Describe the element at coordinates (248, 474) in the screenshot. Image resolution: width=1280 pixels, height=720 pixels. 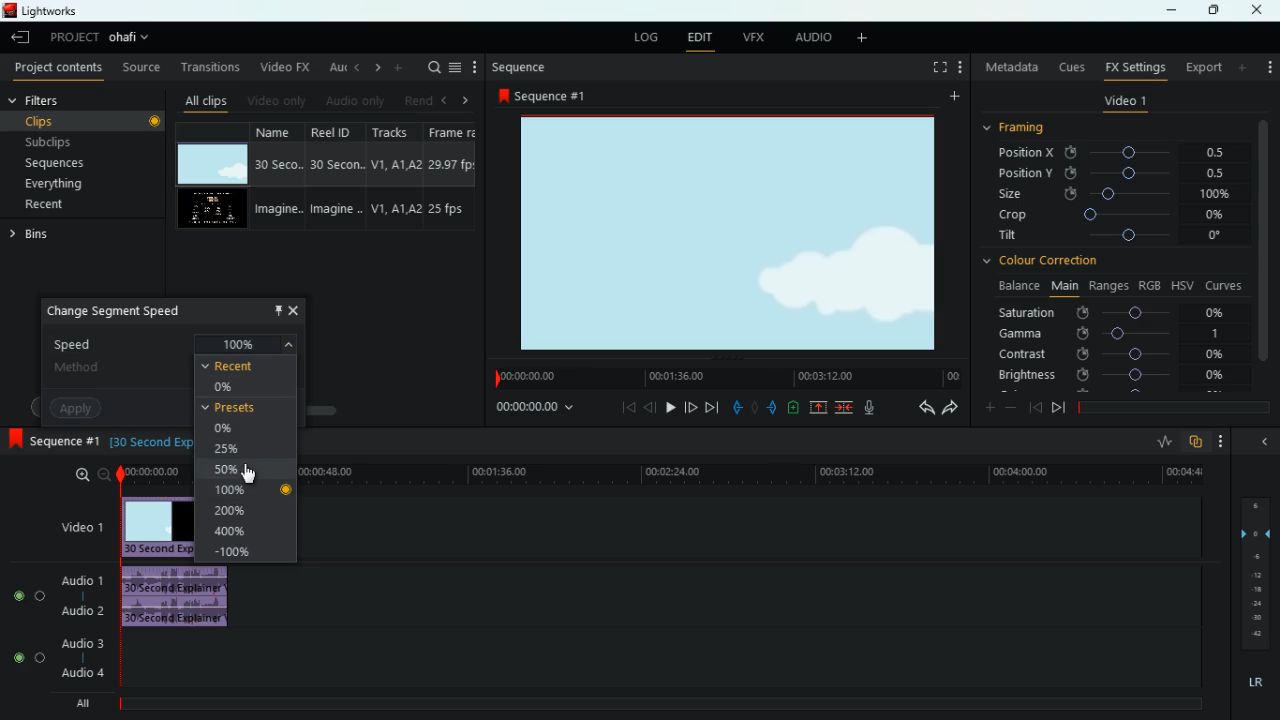
I see `cursor` at that location.